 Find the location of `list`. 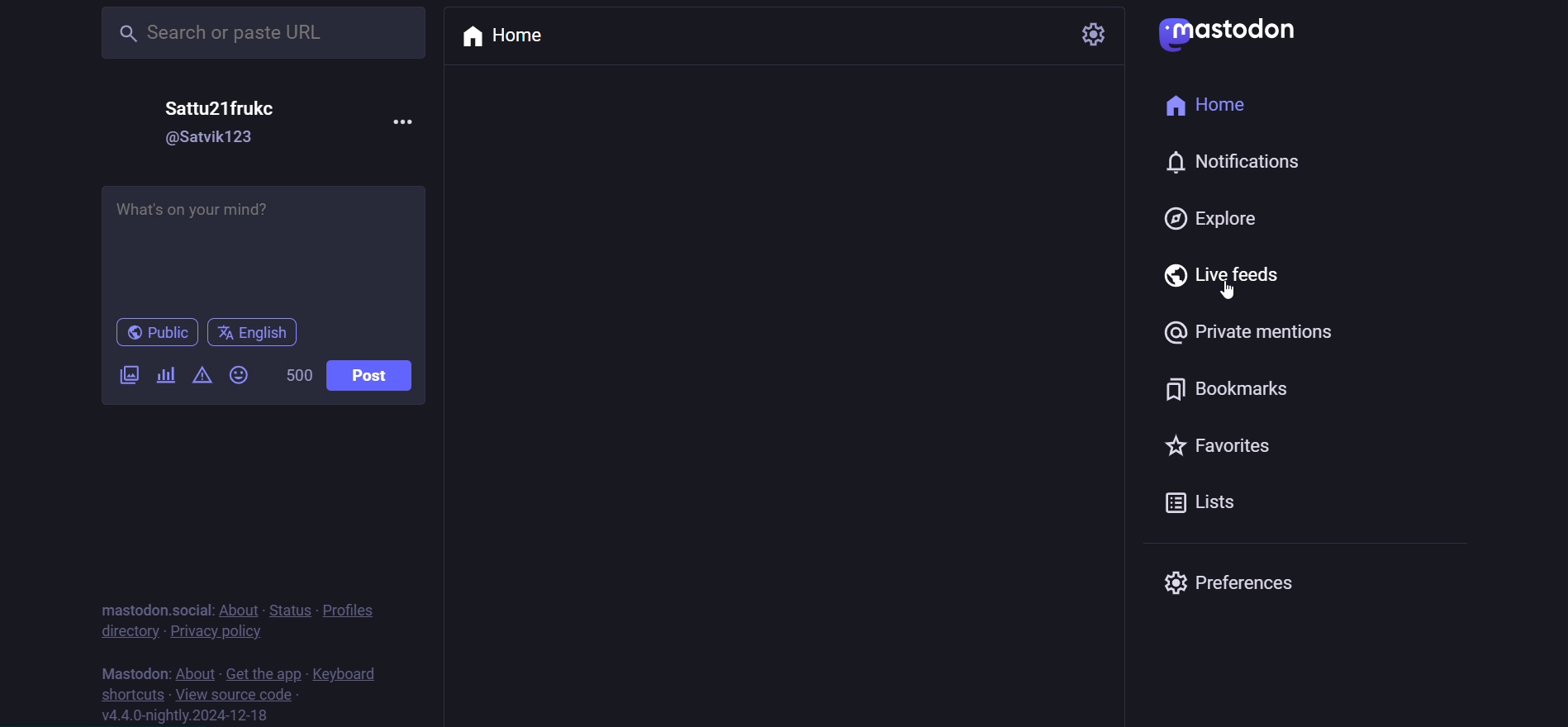

list is located at coordinates (1206, 504).